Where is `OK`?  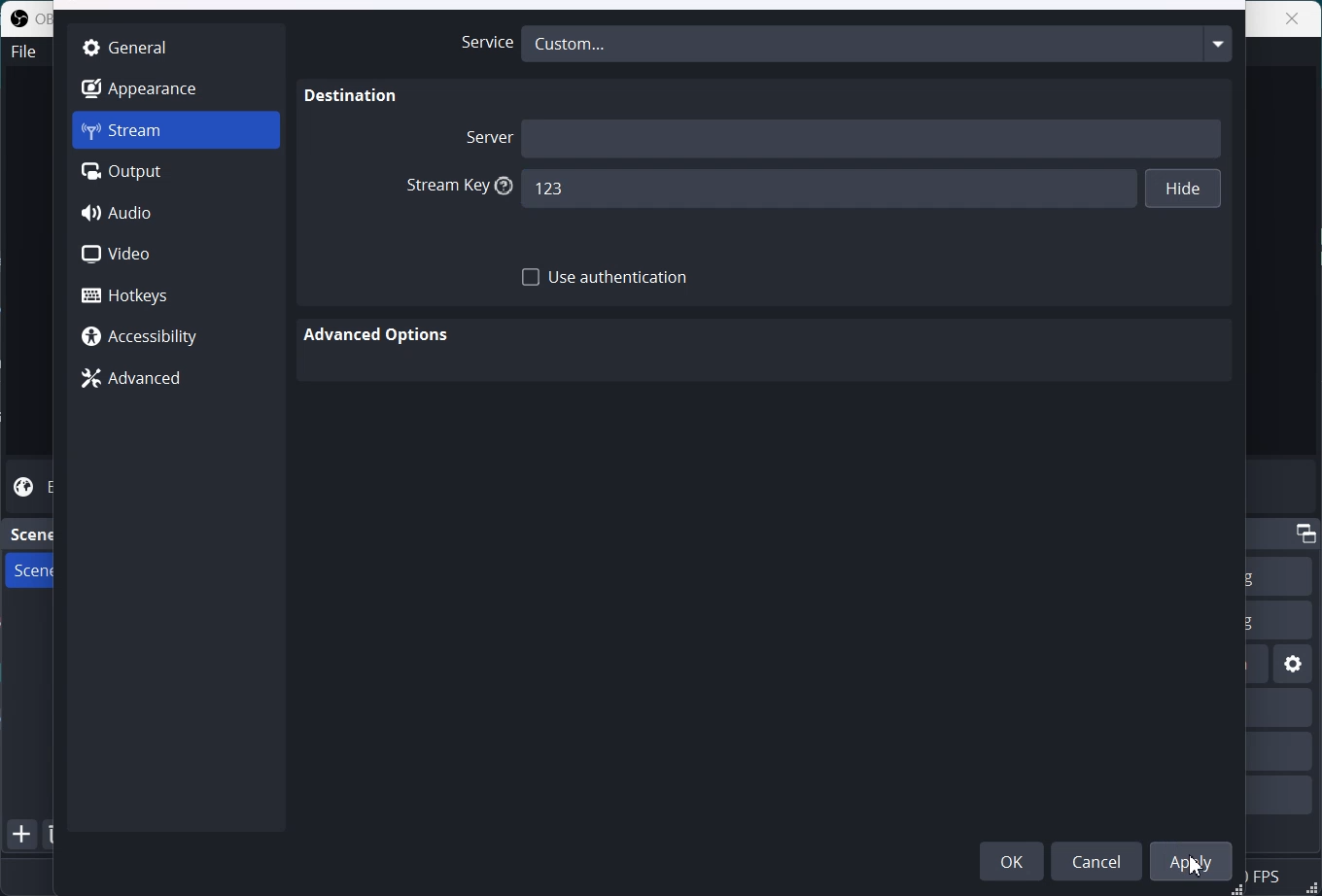
OK is located at coordinates (1012, 860).